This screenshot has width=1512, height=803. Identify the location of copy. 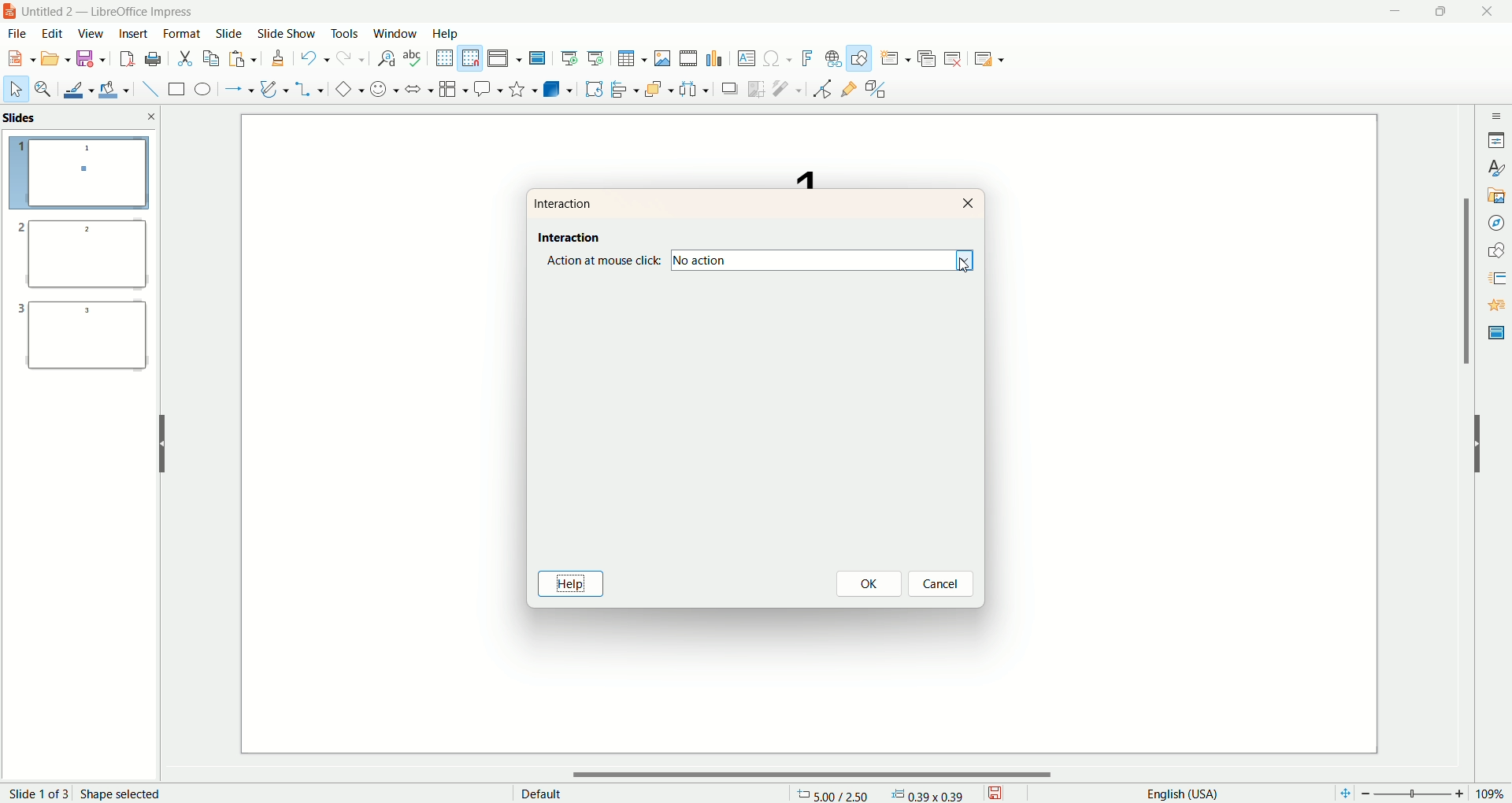
(211, 57).